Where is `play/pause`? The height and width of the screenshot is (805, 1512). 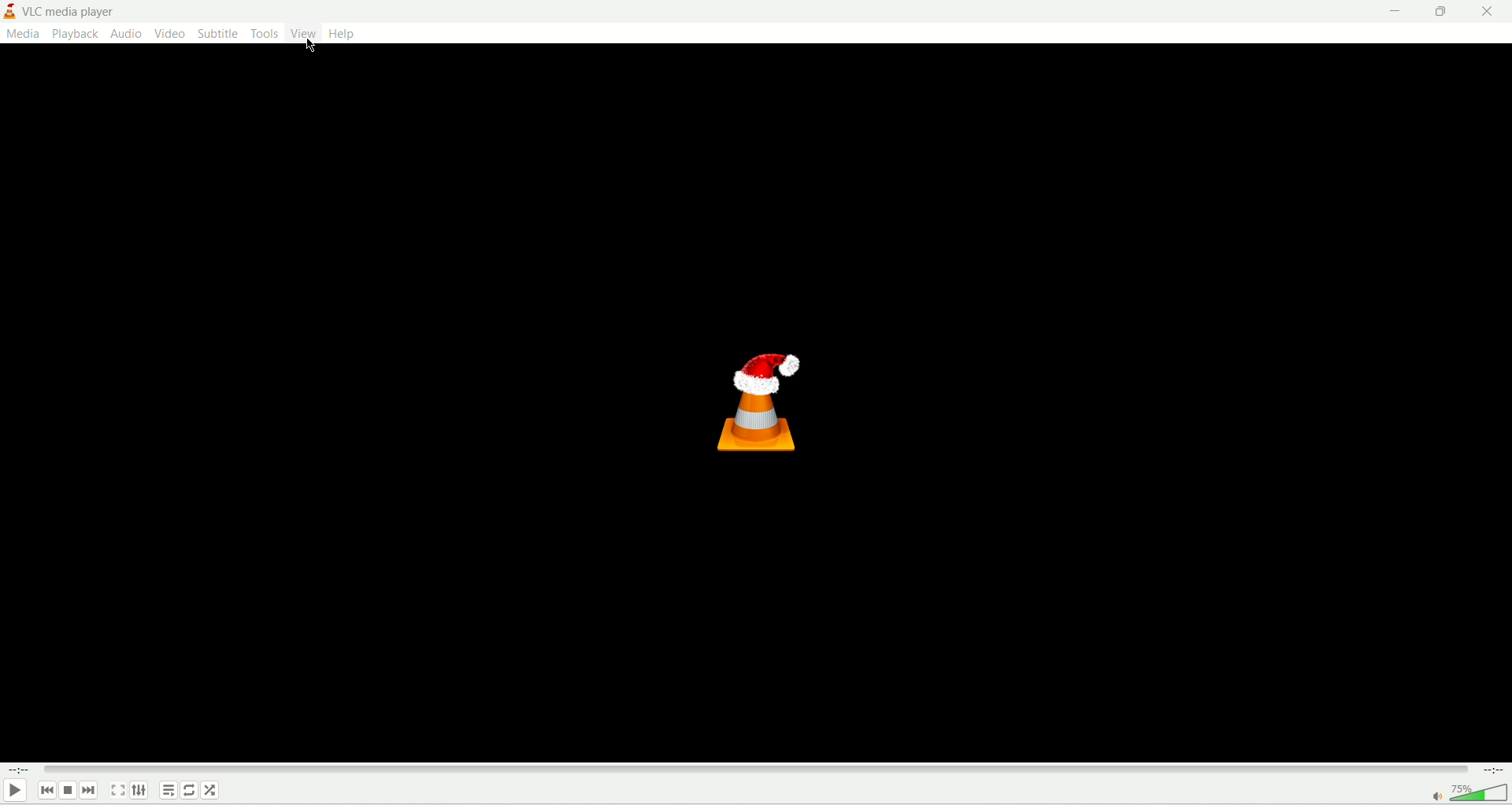 play/pause is located at coordinates (13, 791).